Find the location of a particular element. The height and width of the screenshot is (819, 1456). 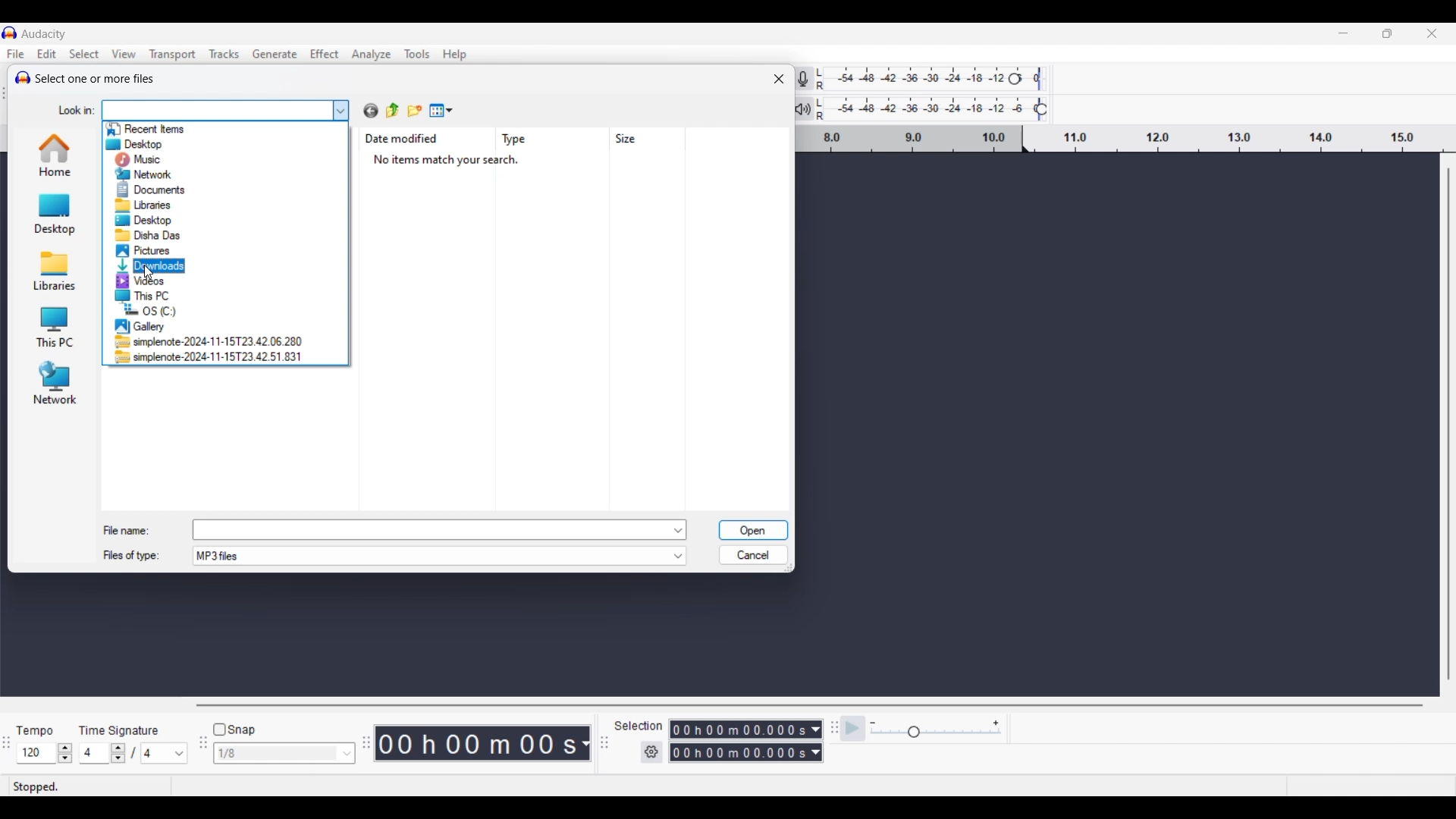

 Desktop is located at coordinates (144, 145).